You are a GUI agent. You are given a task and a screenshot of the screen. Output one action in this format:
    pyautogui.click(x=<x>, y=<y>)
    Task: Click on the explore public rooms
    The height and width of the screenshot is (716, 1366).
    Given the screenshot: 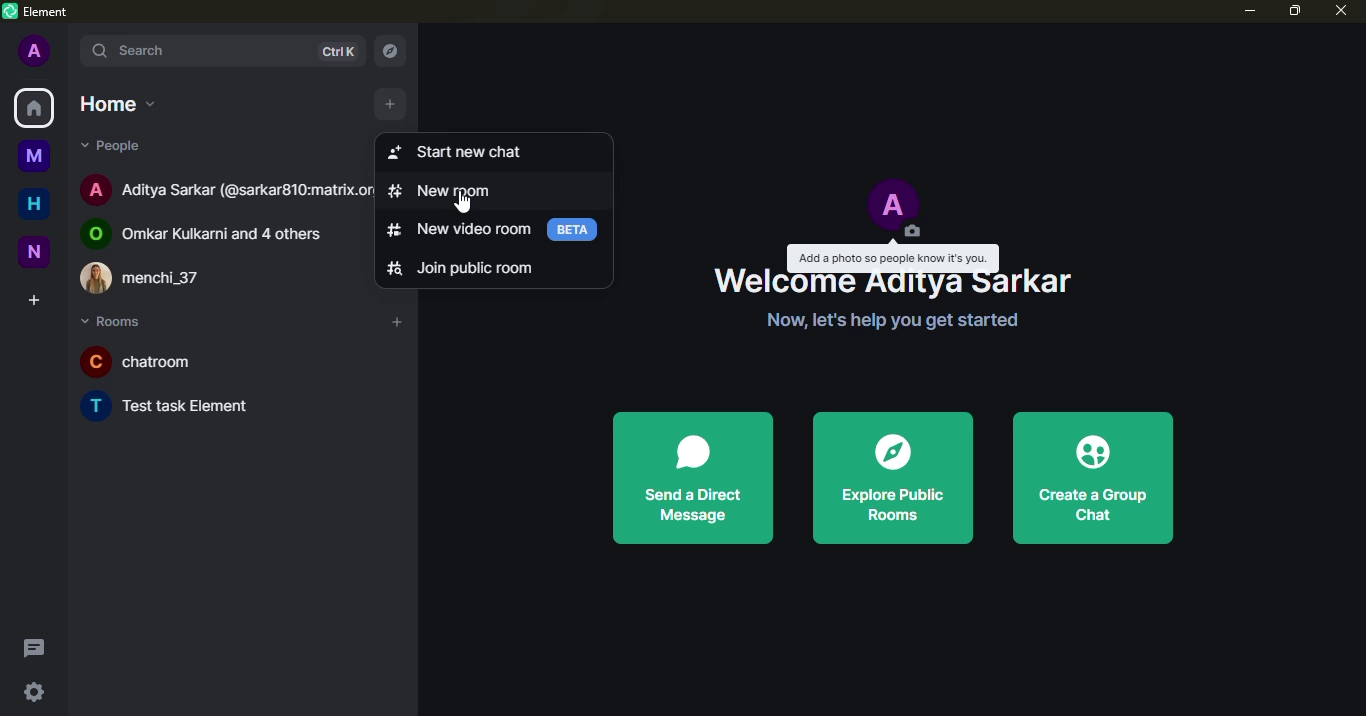 What is the action you would take?
    pyautogui.click(x=895, y=480)
    